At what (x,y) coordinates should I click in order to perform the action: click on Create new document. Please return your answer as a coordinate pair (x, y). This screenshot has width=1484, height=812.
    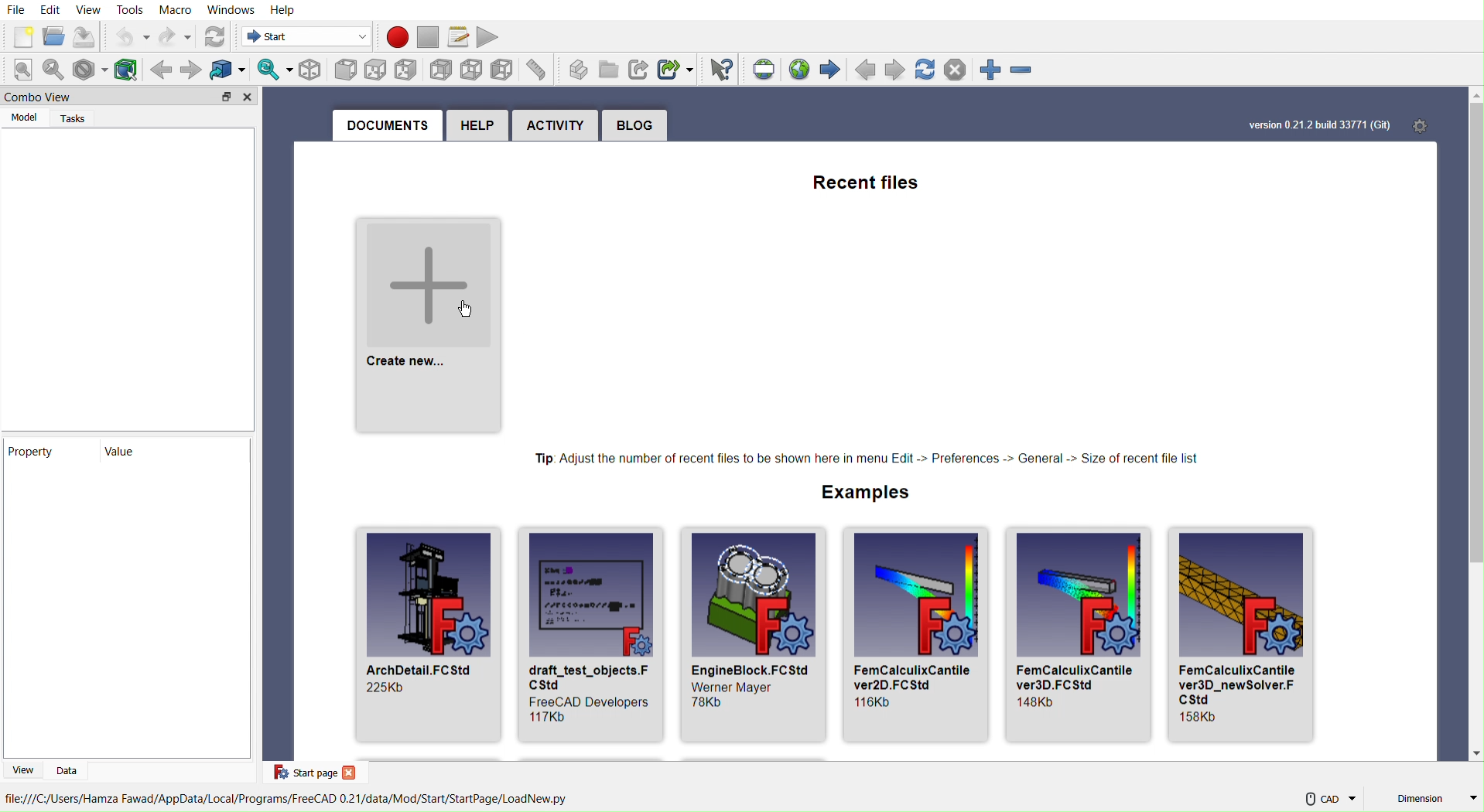
    Looking at the image, I should click on (21, 36).